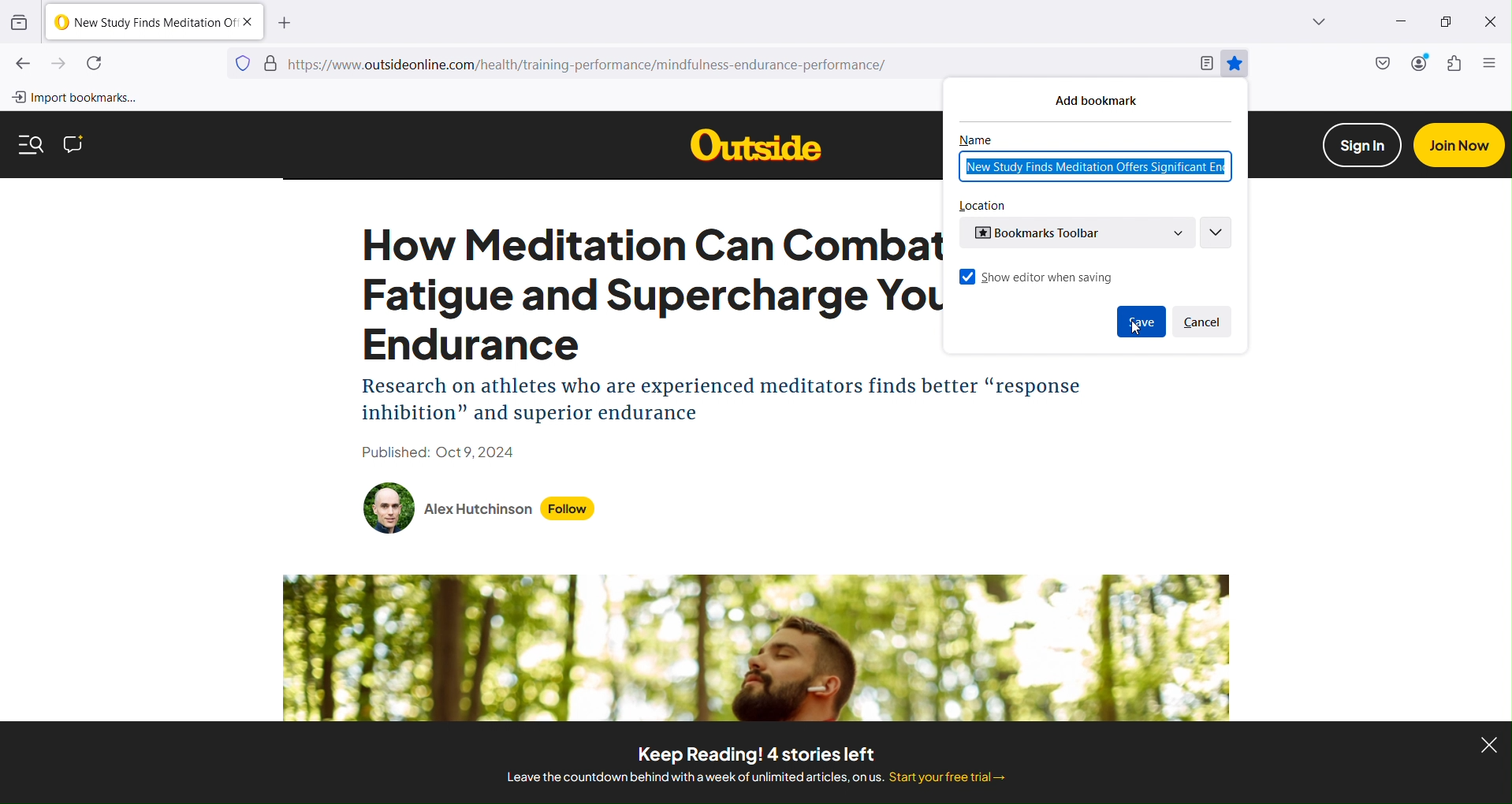 Image resolution: width=1512 pixels, height=804 pixels. What do you see at coordinates (758, 647) in the screenshot?
I see `Article banner` at bounding box center [758, 647].